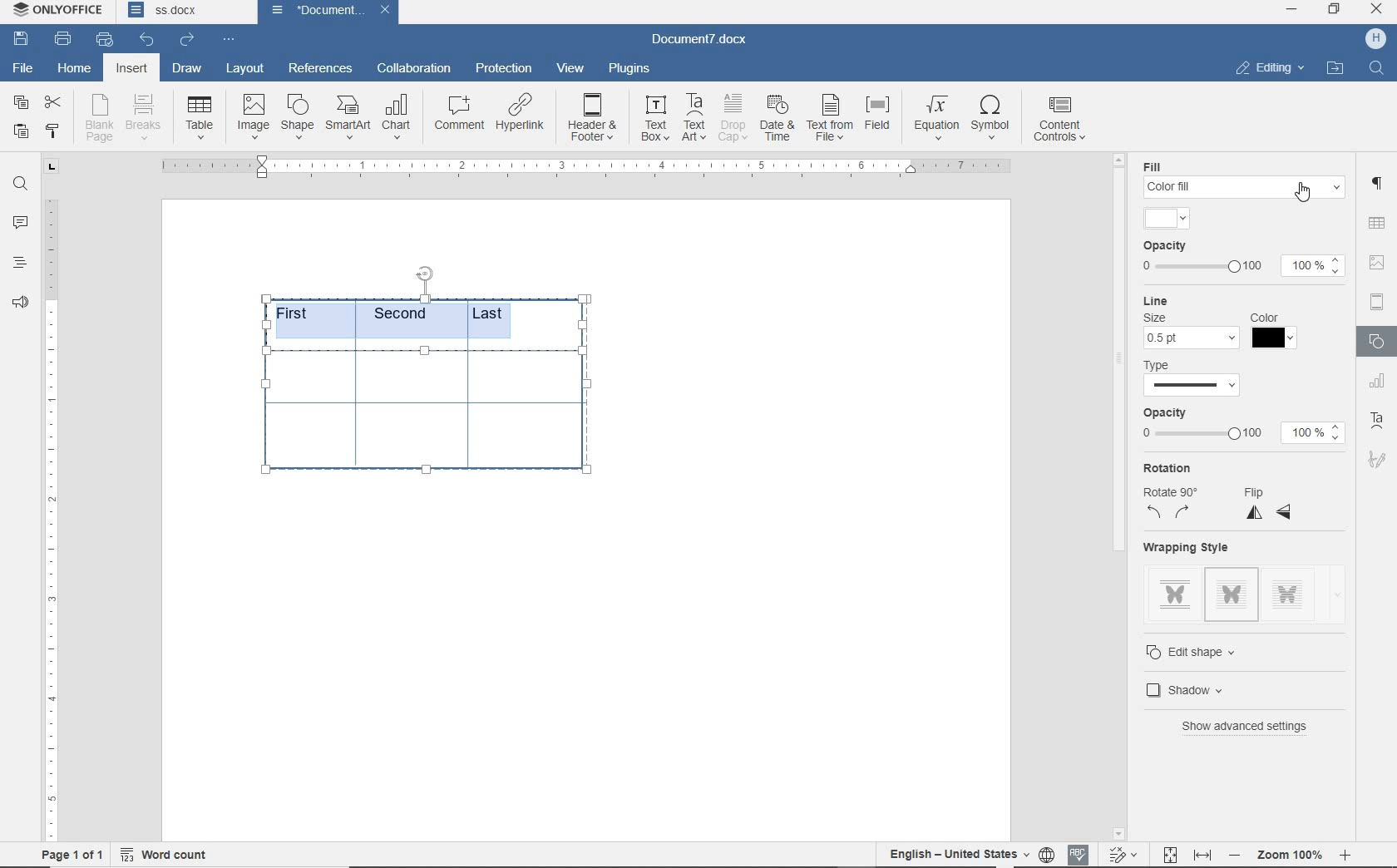 The image size is (1397, 868). Describe the element at coordinates (20, 184) in the screenshot. I see `find` at that location.